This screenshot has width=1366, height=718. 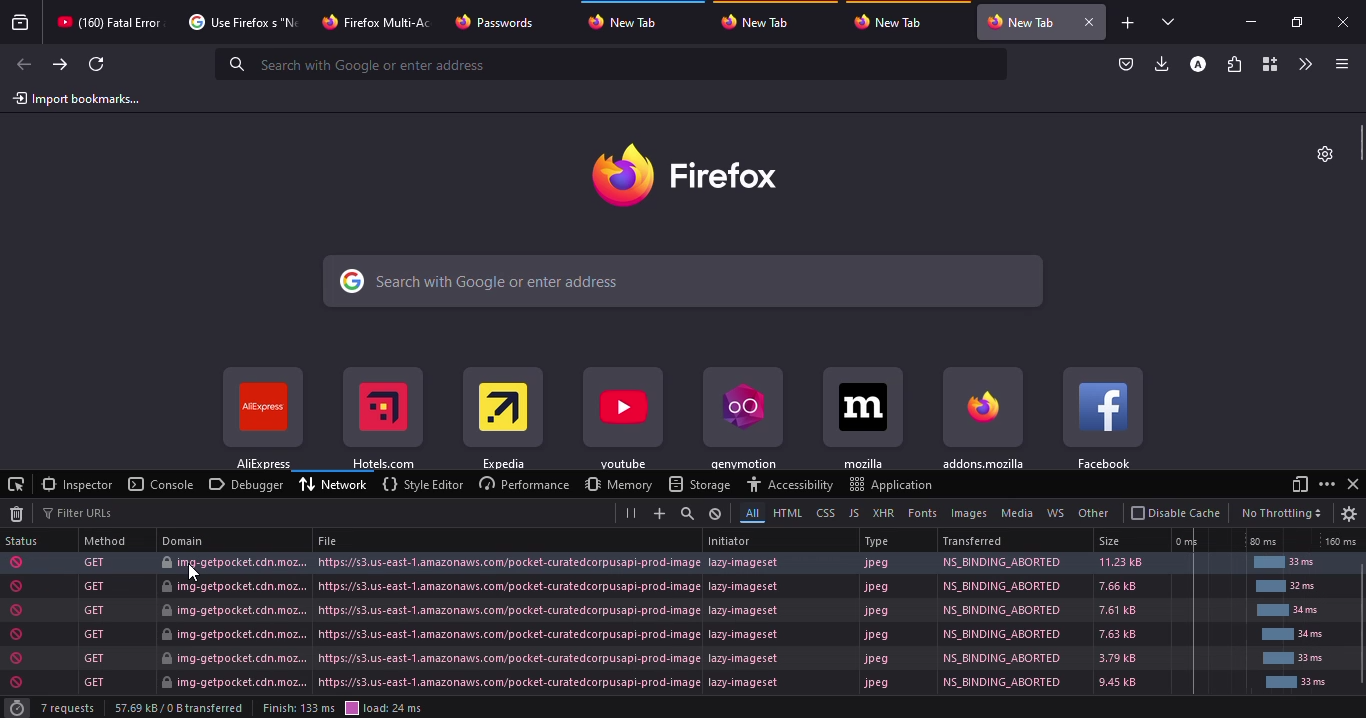 I want to click on select, so click(x=1172, y=22).